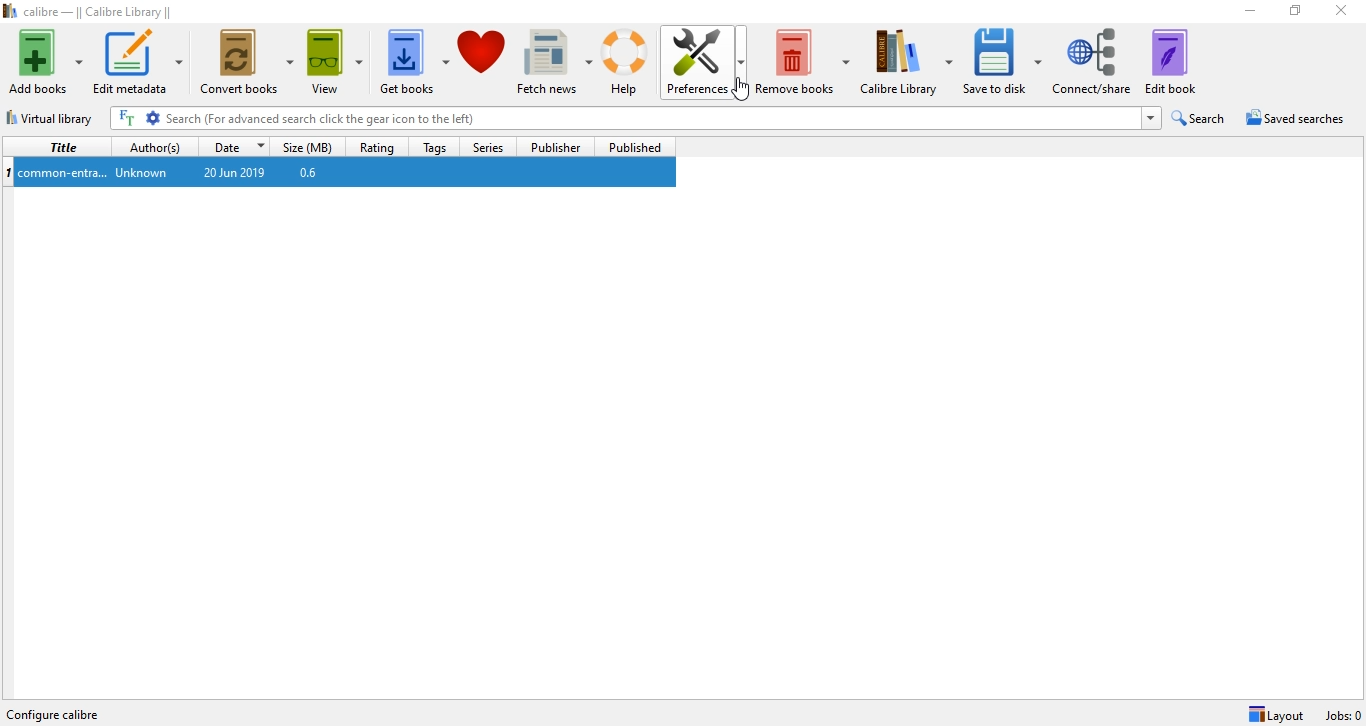 The width and height of the screenshot is (1366, 726). What do you see at coordinates (1245, 12) in the screenshot?
I see `Minimise` at bounding box center [1245, 12].